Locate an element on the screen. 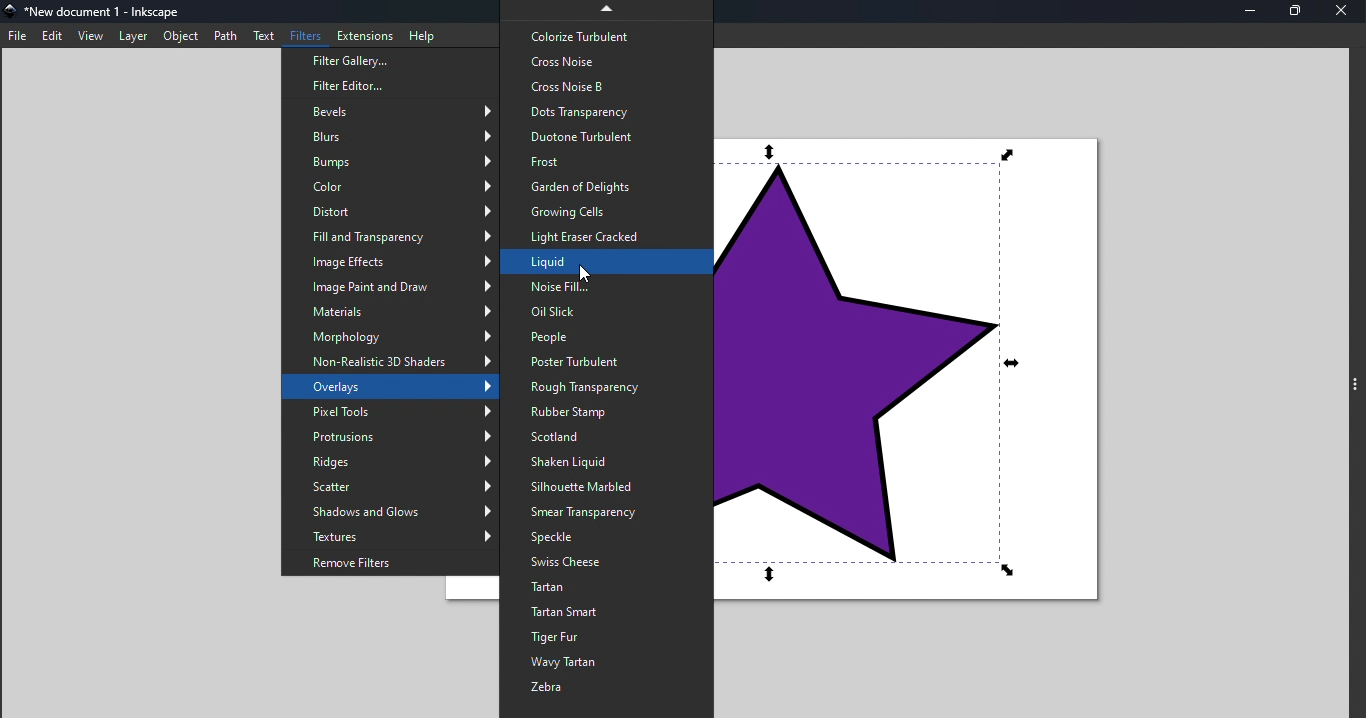  Remove filters is located at coordinates (393, 561).